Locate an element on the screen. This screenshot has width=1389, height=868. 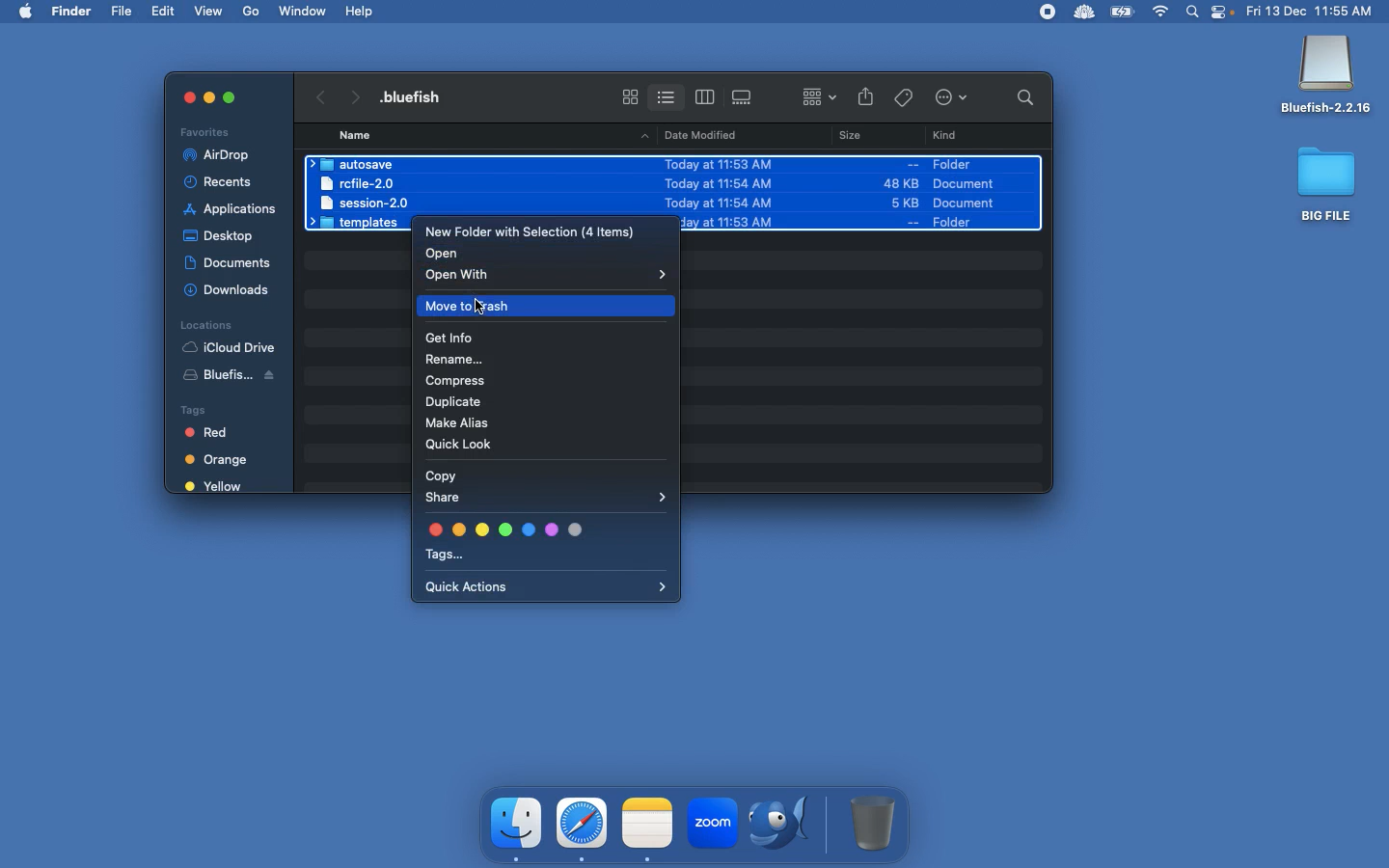
Locations is located at coordinates (205, 324).